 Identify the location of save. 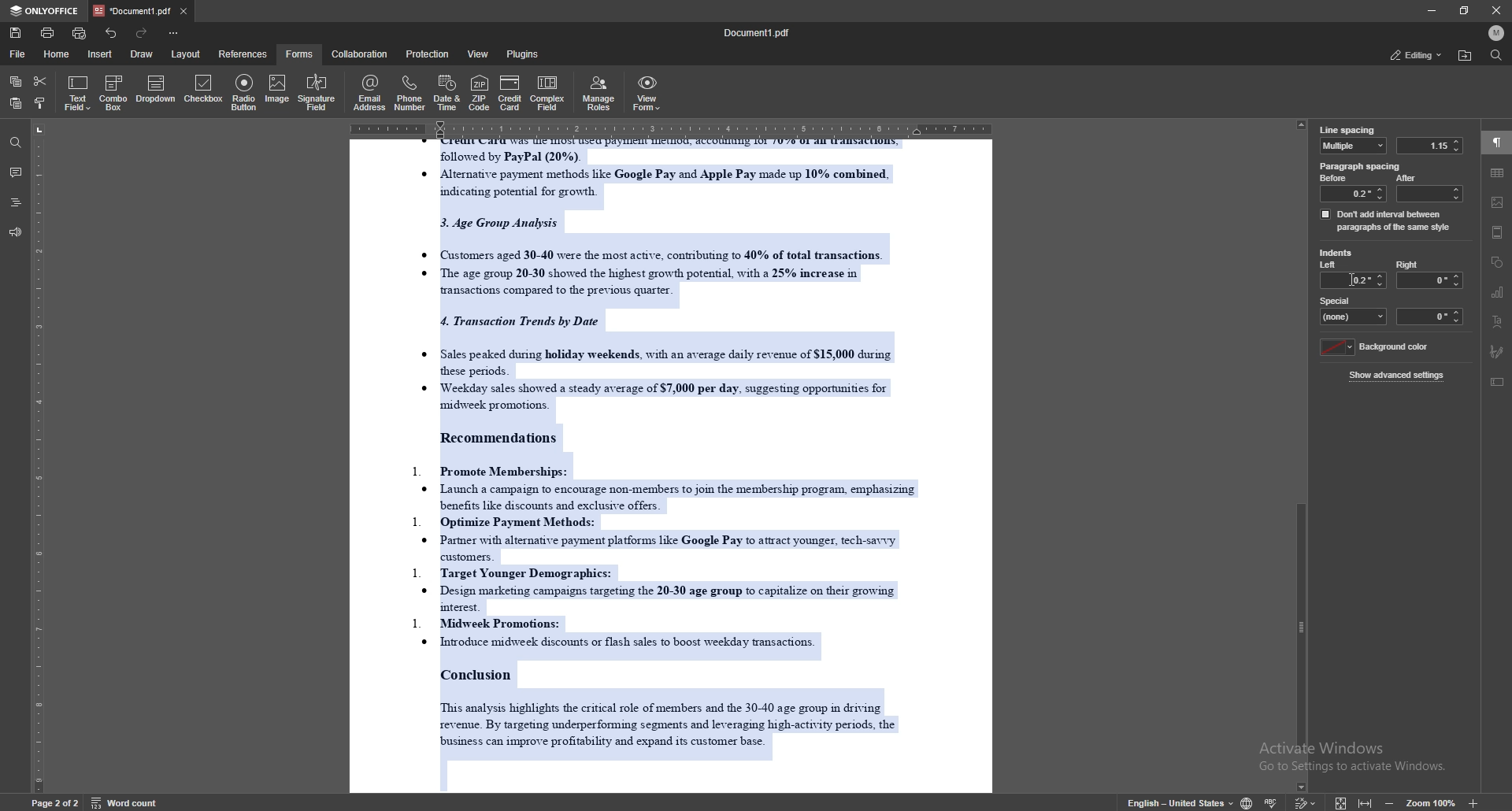
(16, 33).